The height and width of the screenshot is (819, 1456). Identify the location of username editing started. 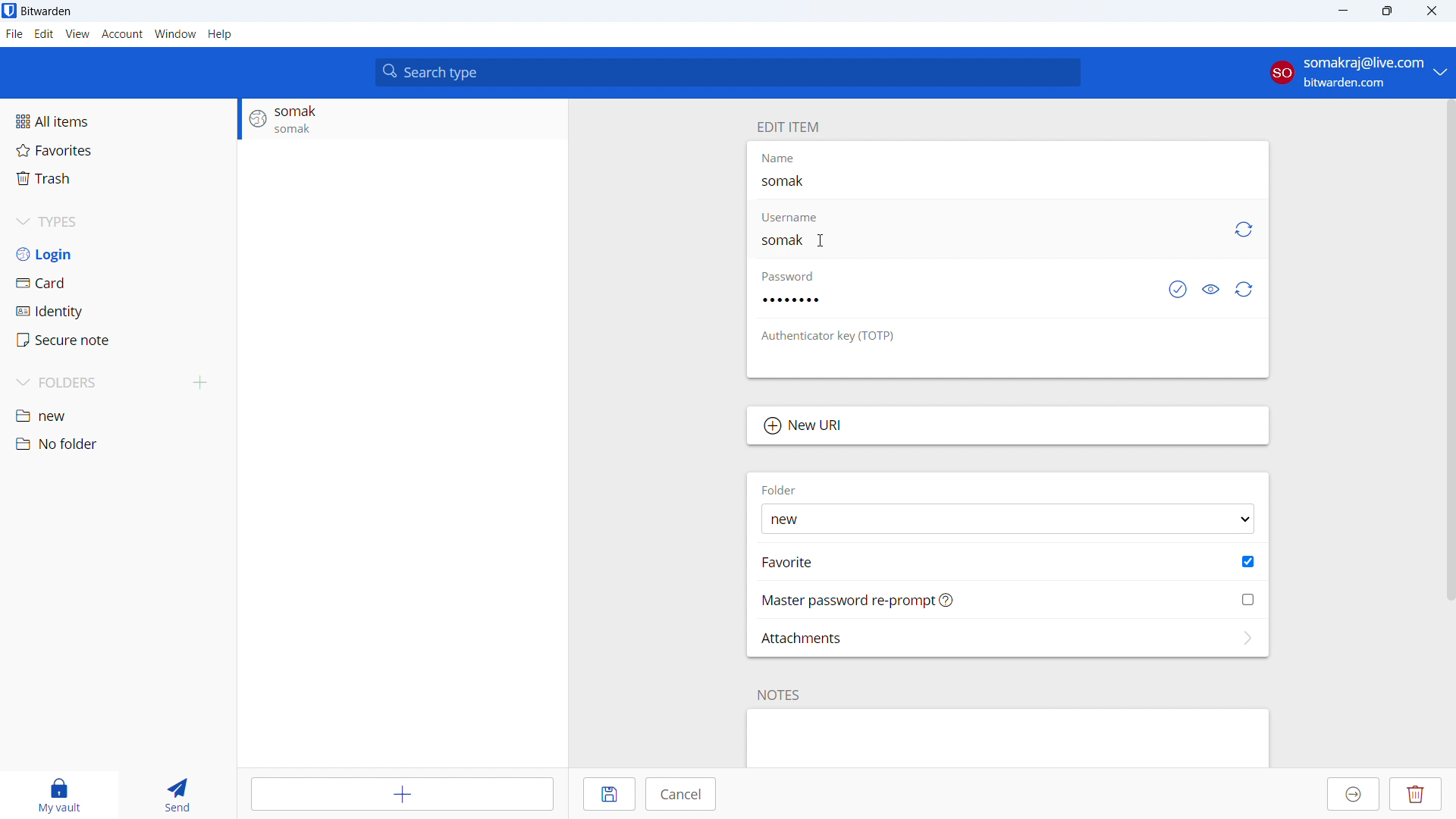
(791, 240).